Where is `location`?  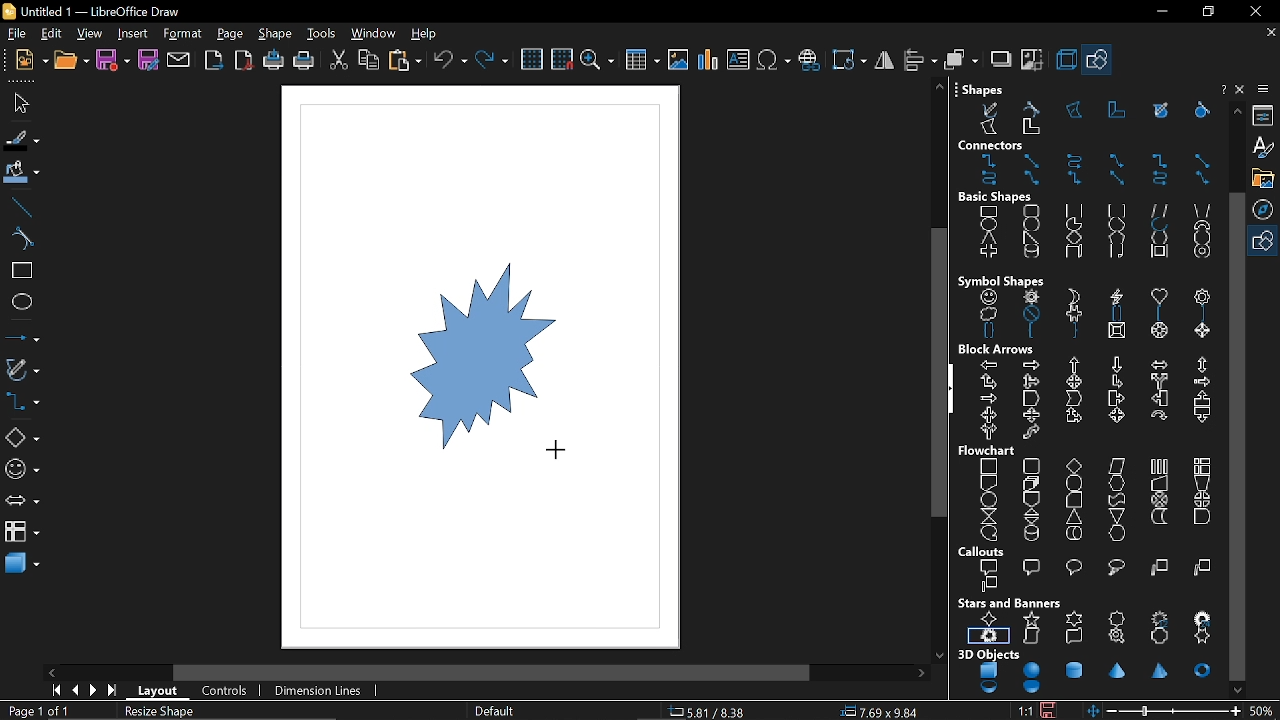 location is located at coordinates (882, 712).